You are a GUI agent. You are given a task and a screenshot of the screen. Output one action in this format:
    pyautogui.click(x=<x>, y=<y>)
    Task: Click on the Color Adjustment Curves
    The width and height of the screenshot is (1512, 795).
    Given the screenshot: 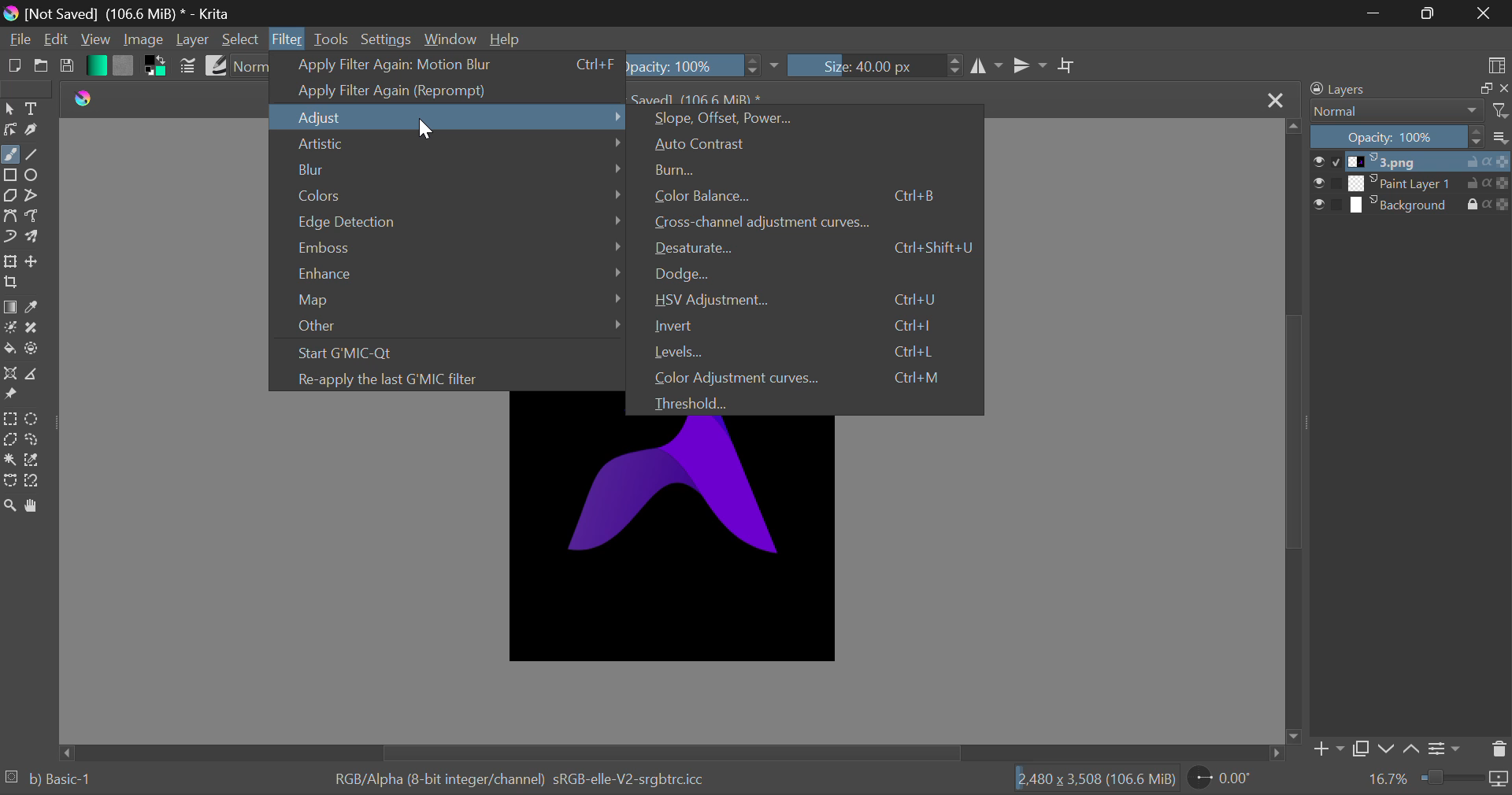 What is the action you would take?
    pyautogui.click(x=811, y=375)
    